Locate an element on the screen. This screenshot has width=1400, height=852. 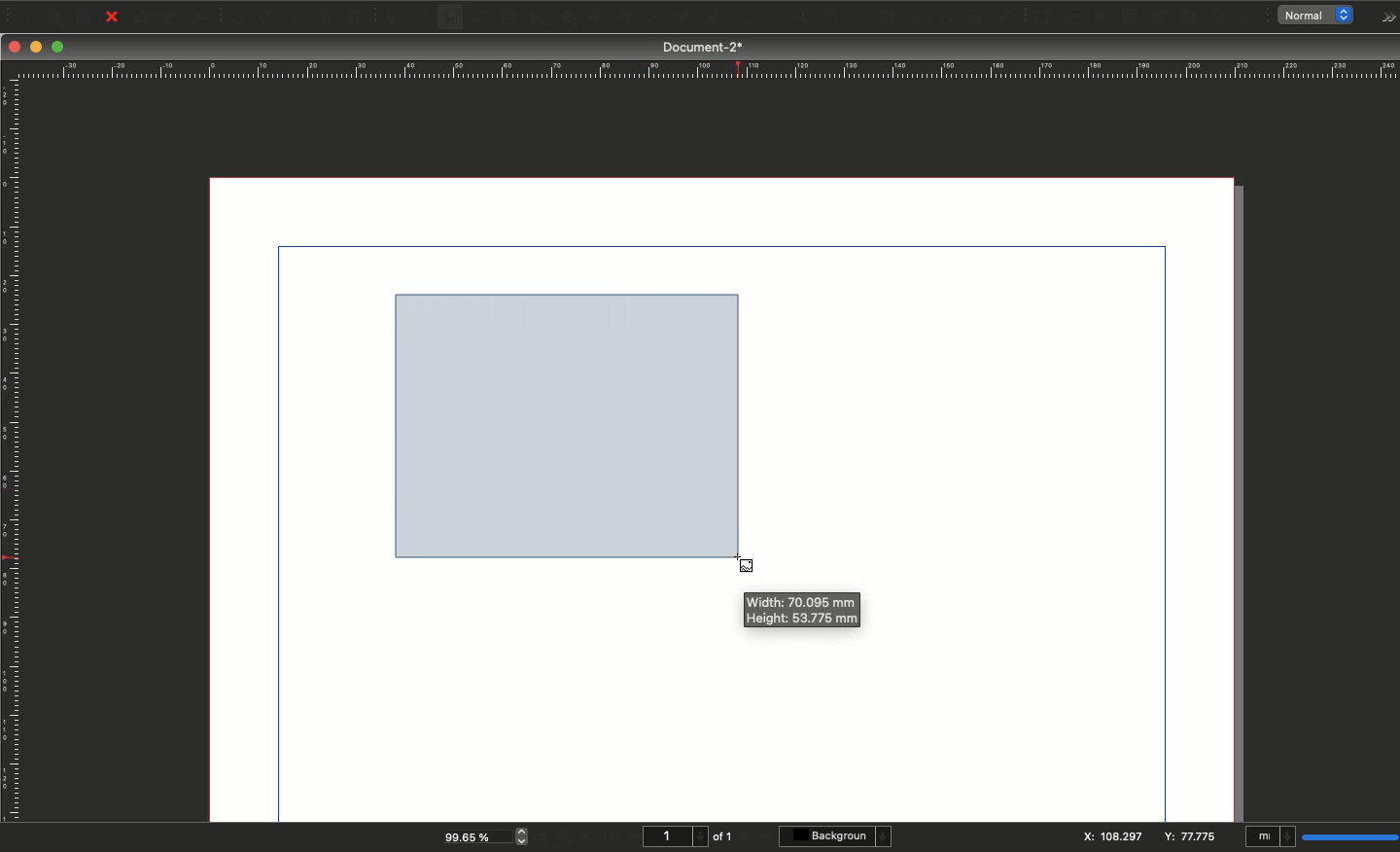
99.65 % is located at coordinates (472, 835).